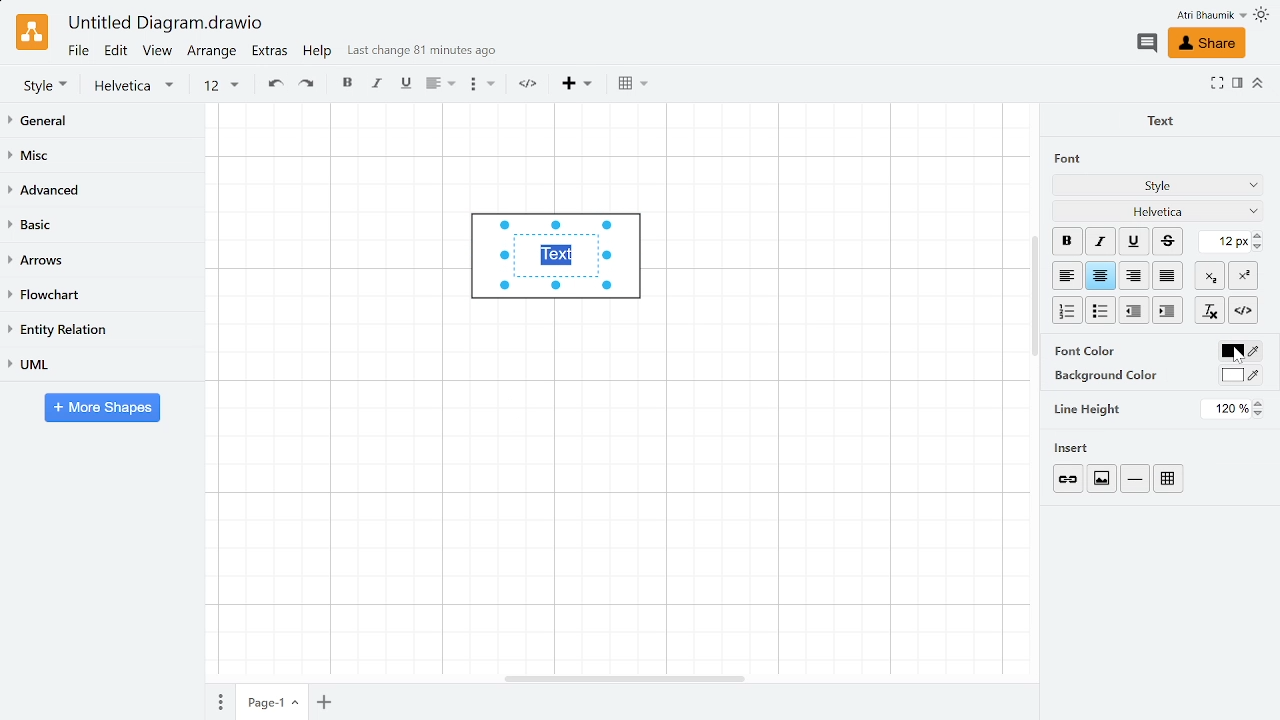 The image size is (1280, 720). I want to click on font color, so click(1087, 350).